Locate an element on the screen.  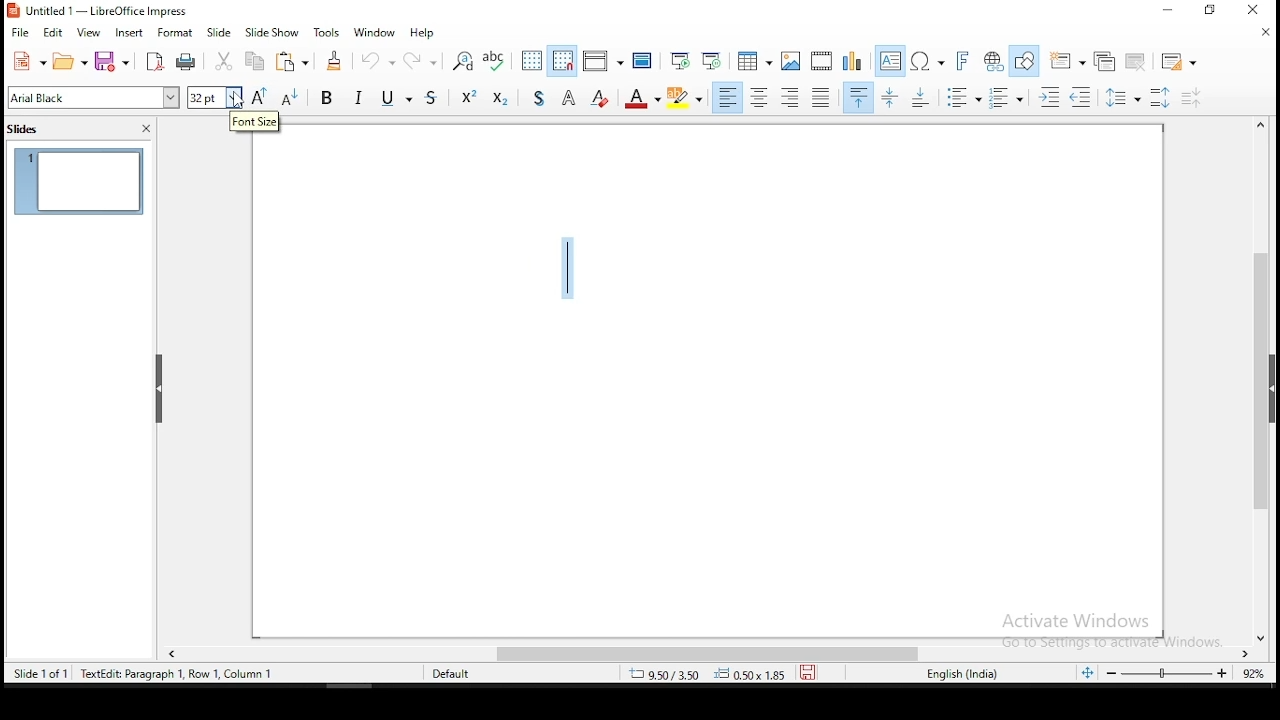
Left Align is located at coordinates (727, 97).